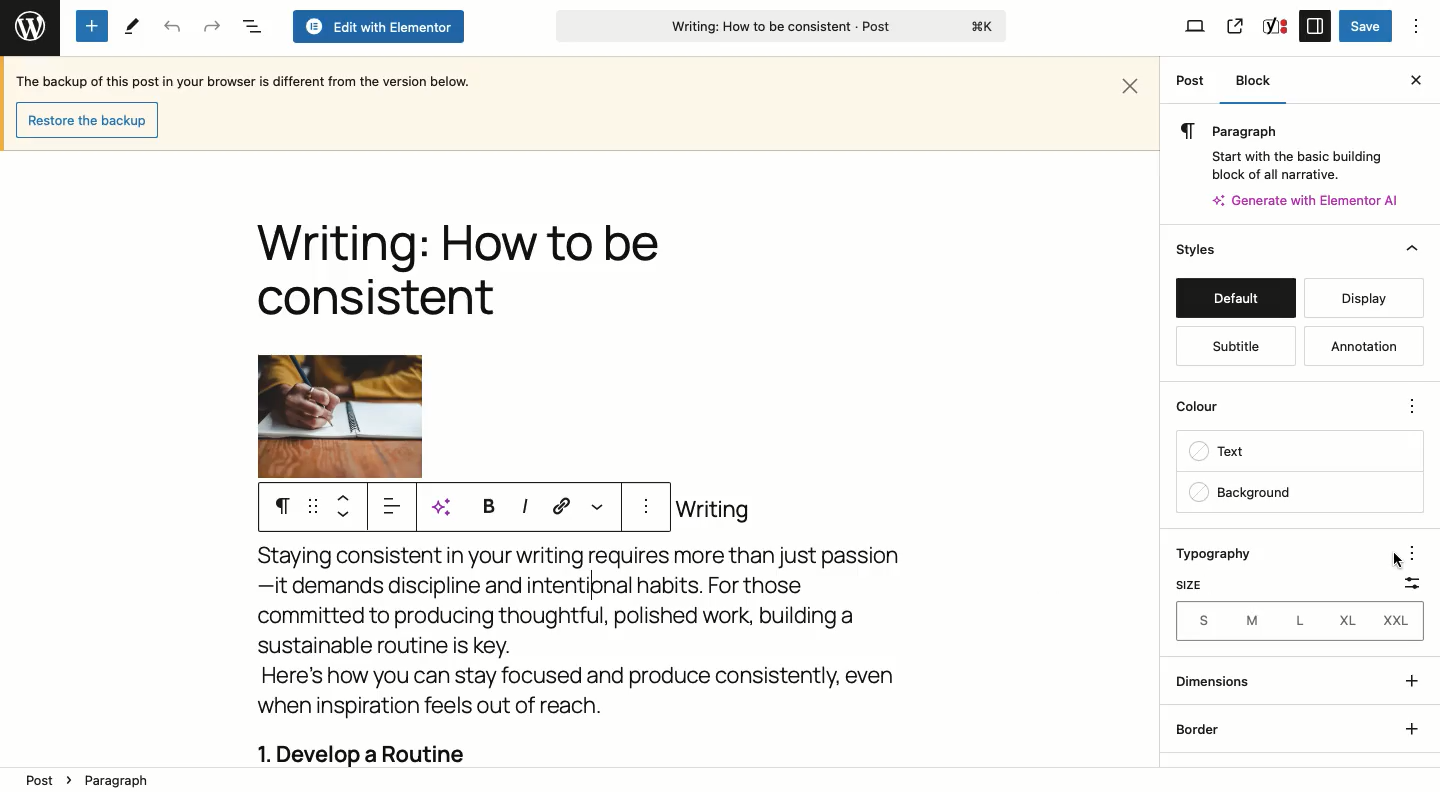 Image resolution: width=1440 pixels, height=792 pixels. What do you see at coordinates (1314, 25) in the screenshot?
I see `Settings` at bounding box center [1314, 25].